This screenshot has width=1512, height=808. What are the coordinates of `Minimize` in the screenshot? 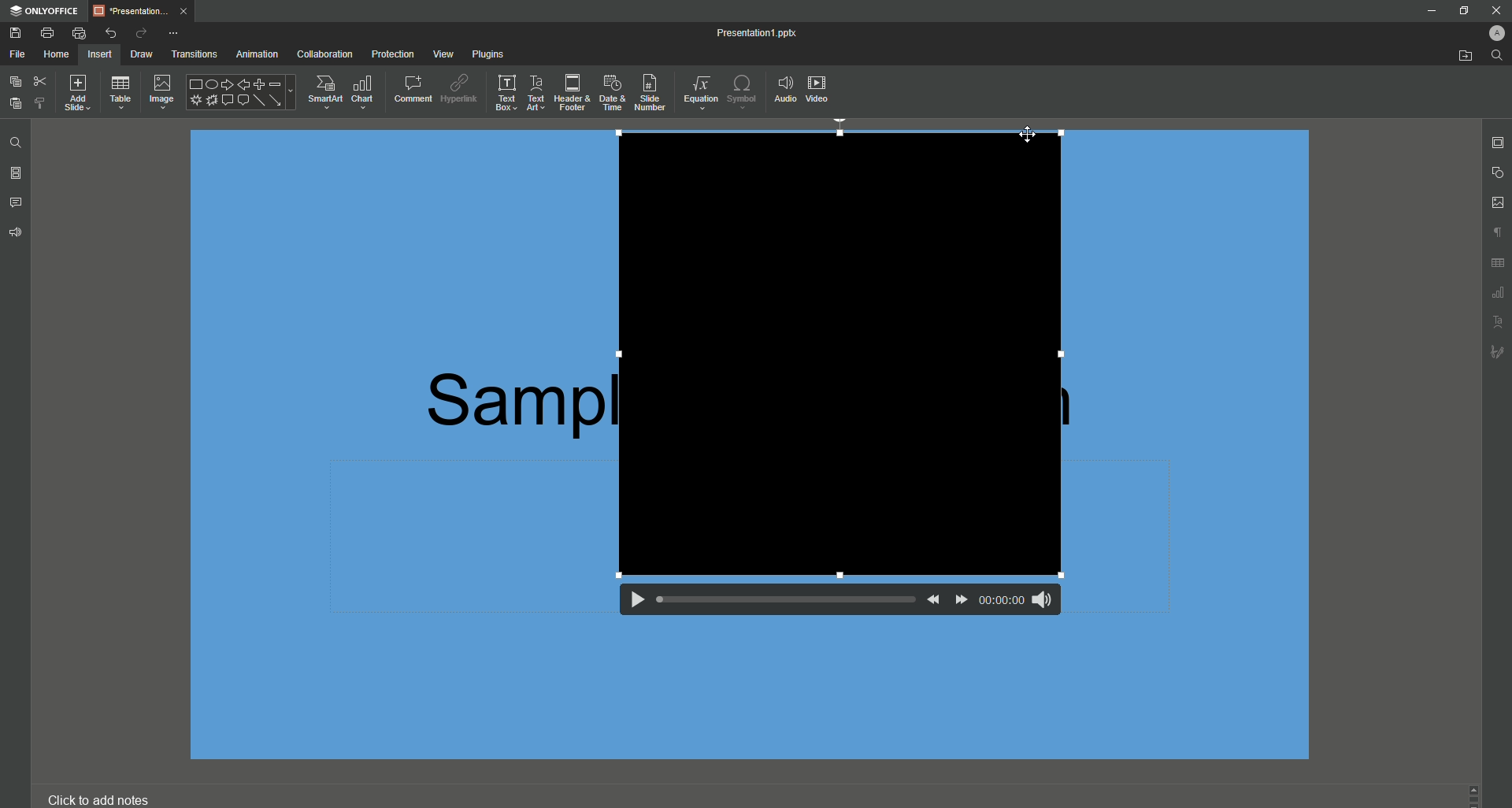 It's located at (1431, 10).